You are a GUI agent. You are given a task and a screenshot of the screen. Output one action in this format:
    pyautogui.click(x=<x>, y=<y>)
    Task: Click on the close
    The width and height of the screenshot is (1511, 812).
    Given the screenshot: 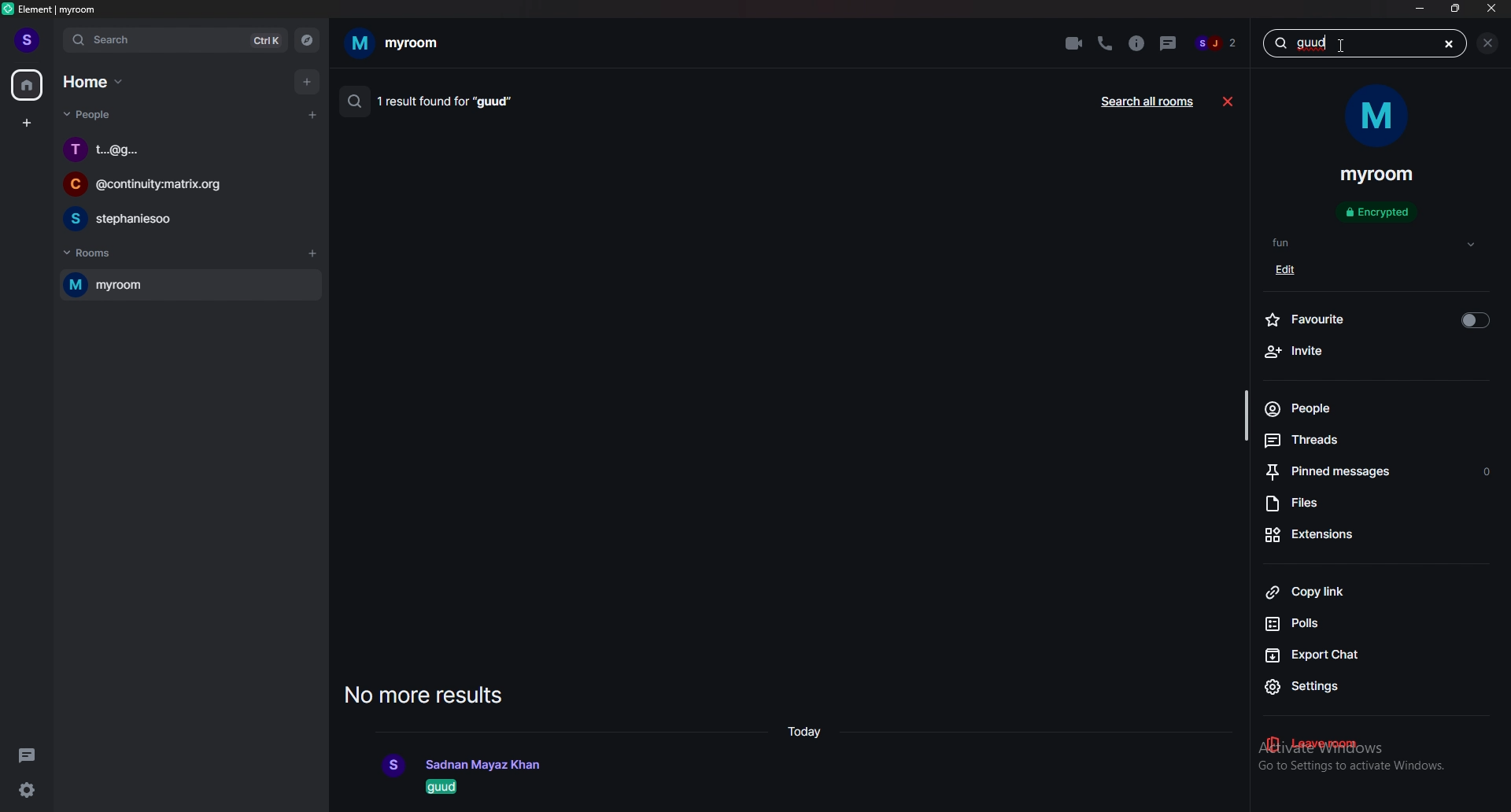 What is the action you would take?
    pyautogui.click(x=1494, y=9)
    